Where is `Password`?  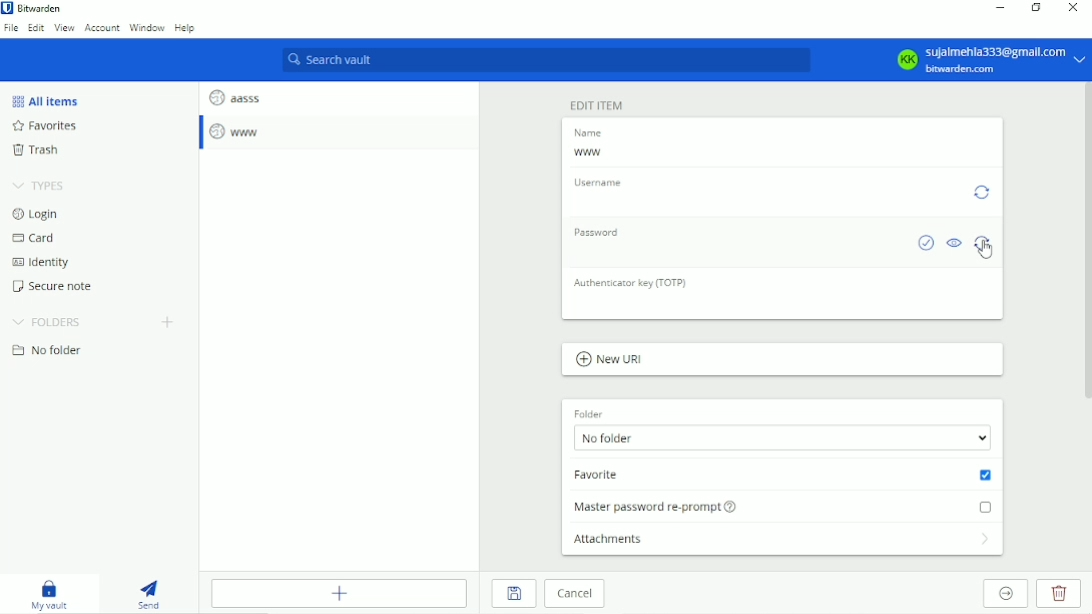
Password is located at coordinates (602, 233).